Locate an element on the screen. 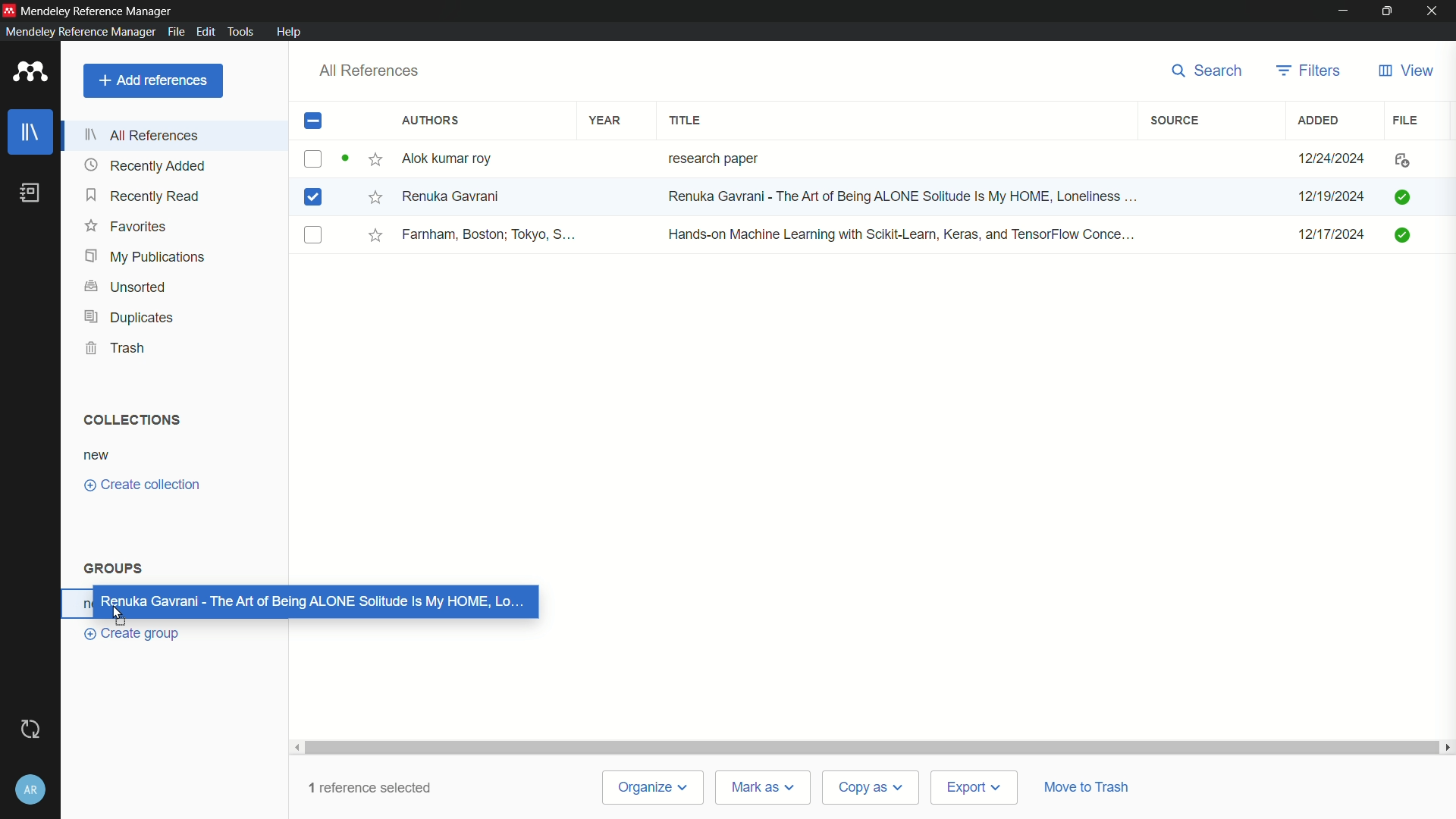 The height and width of the screenshot is (819, 1456). all references is located at coordinates (146, 134).